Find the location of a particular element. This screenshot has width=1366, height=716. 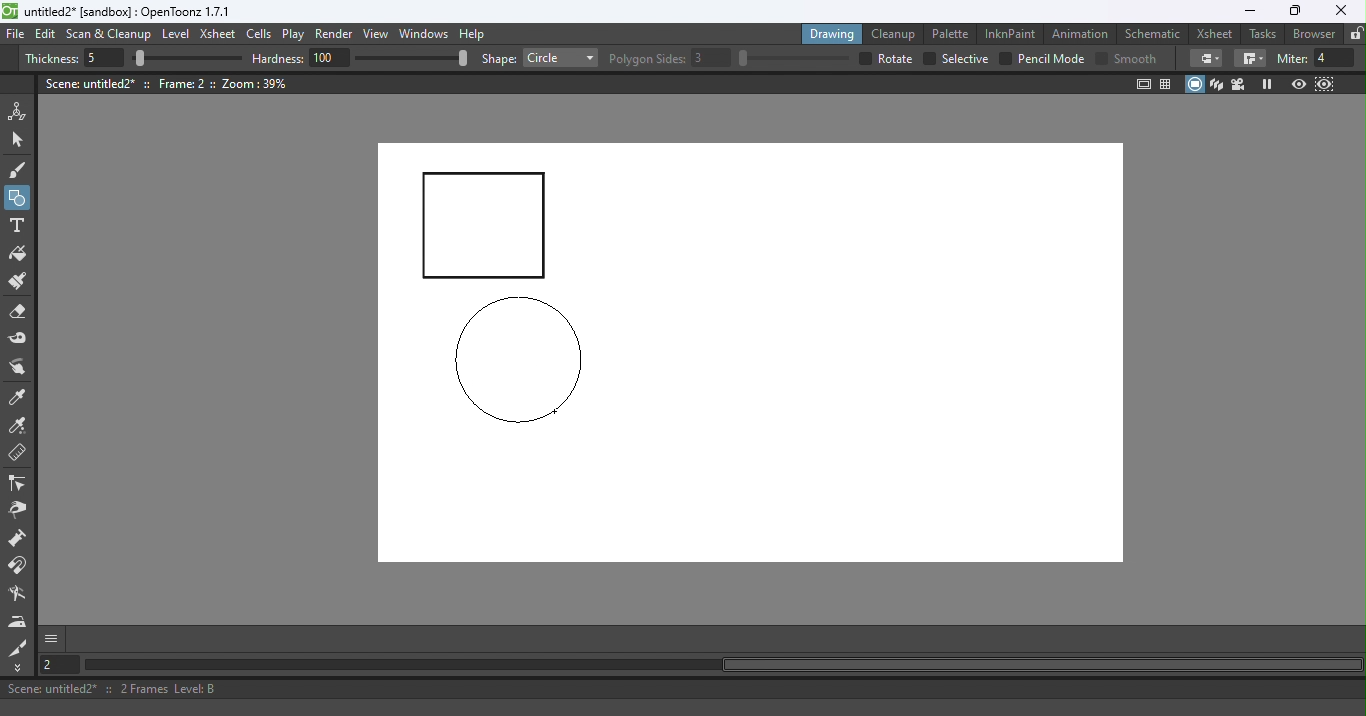

Render is located at coordinates (337, 35).